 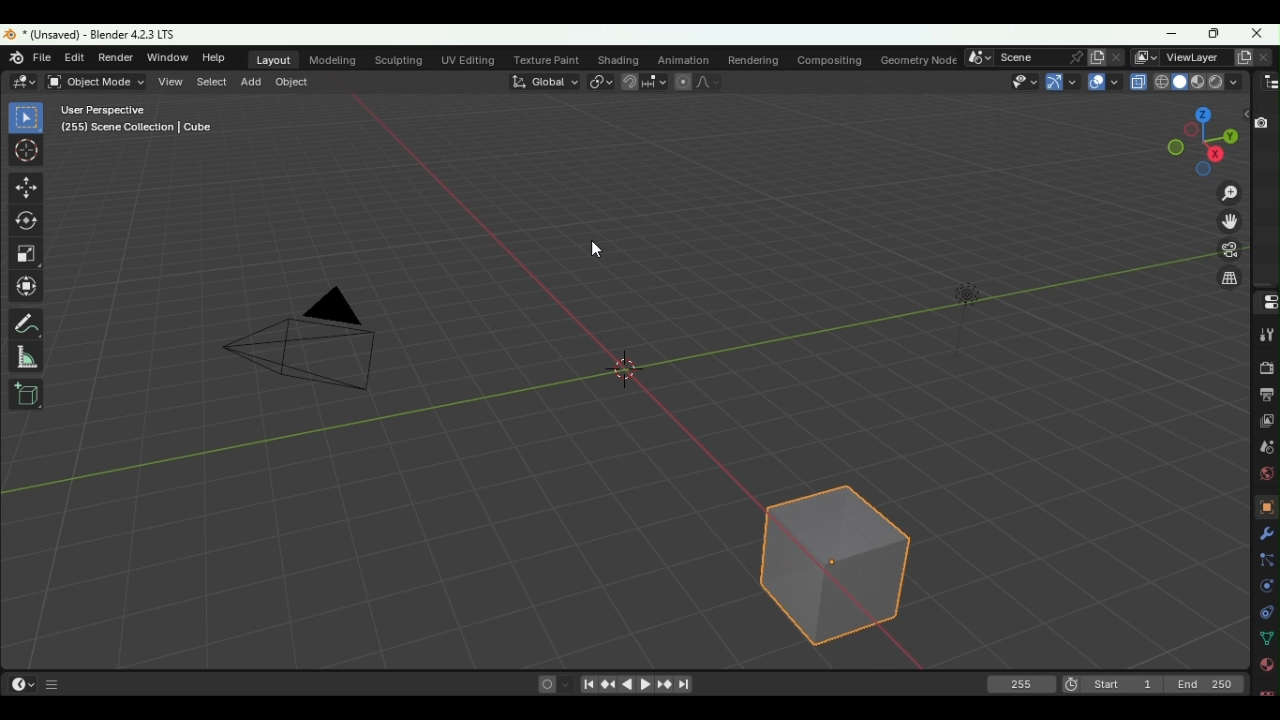 I want to click on Name, so click(x=1024, y=55).